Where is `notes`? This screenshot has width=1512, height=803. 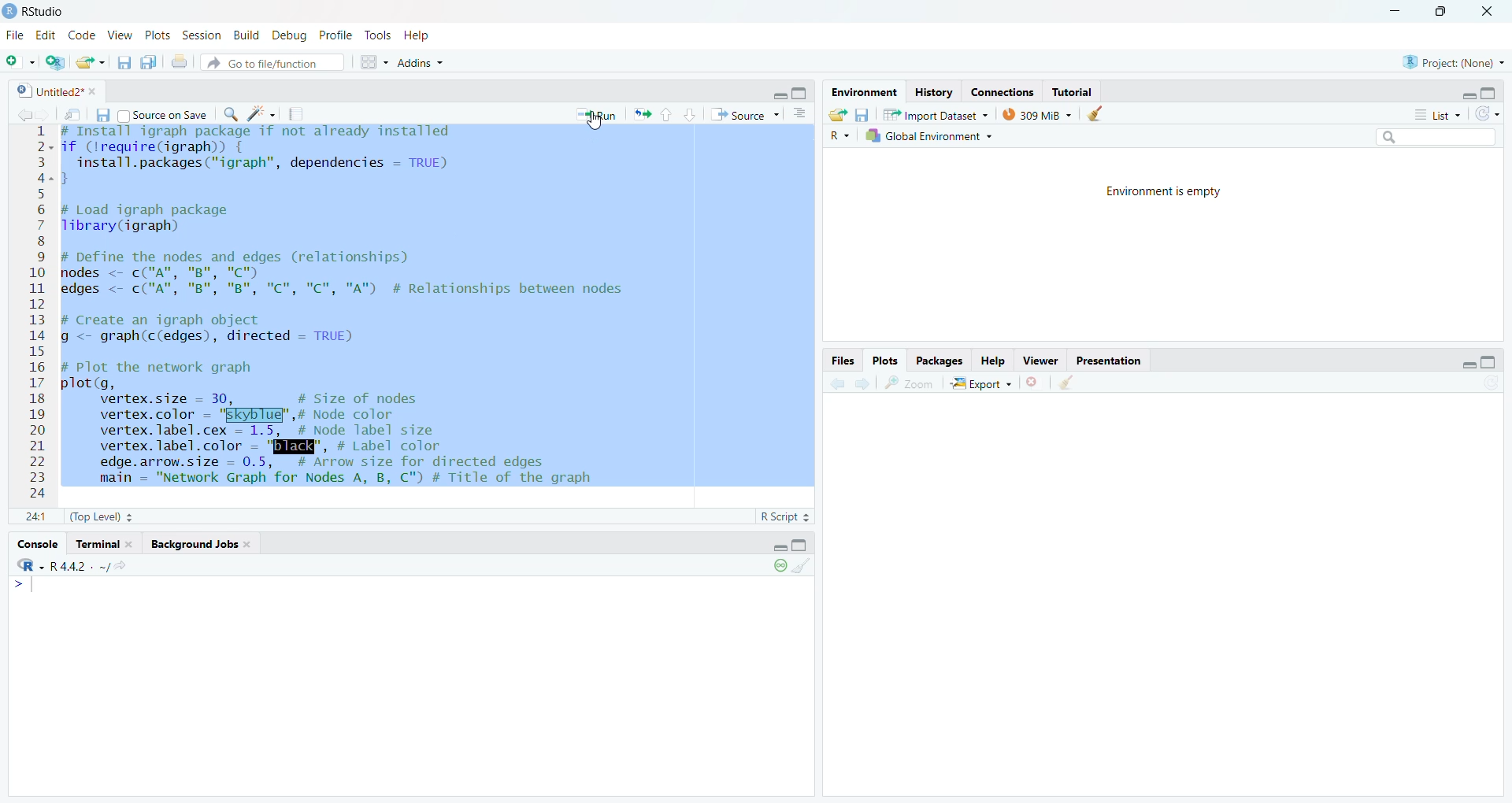
notes is located at coordinates (298, 113).